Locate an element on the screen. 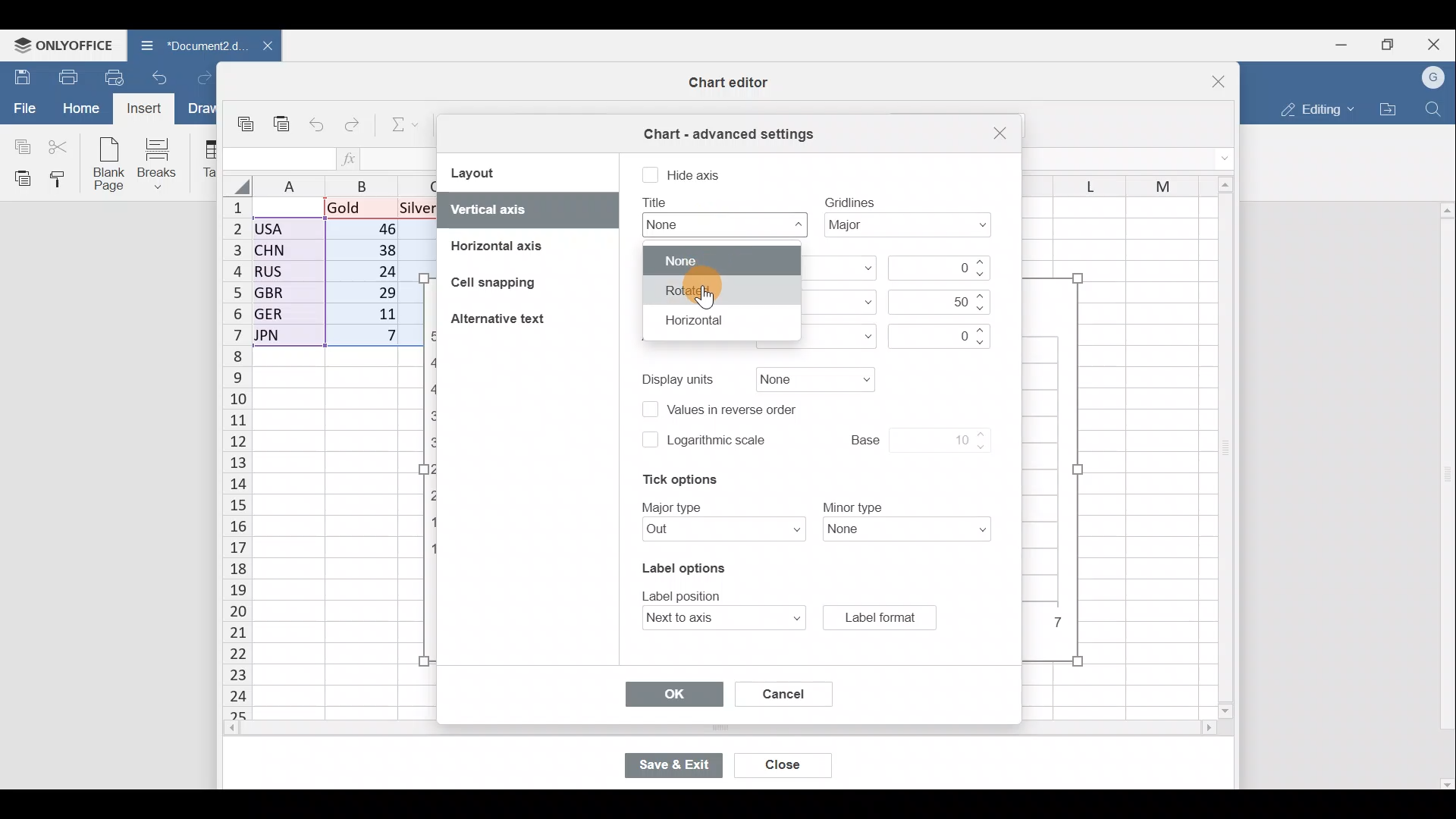 The height and width of the screenshot is (819, 1456). Account name is located at coordinates (1435, 76).